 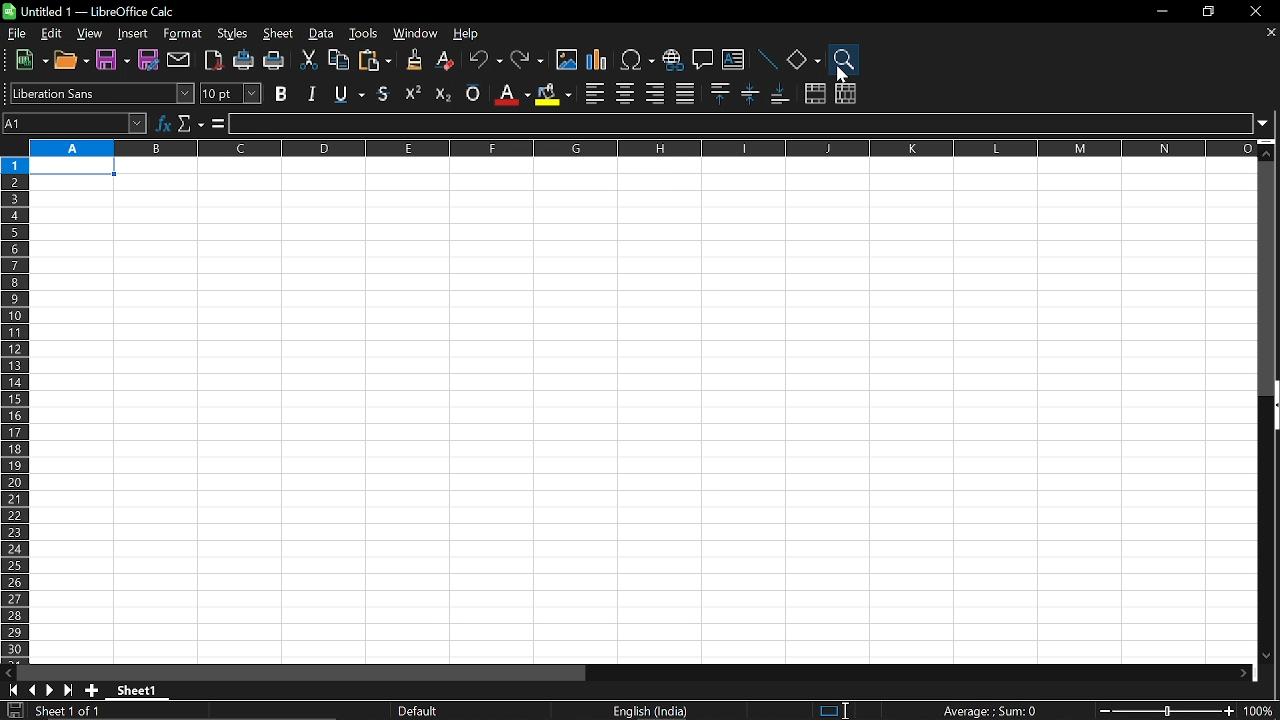 I want to click on formula, so click(x=216, y=124).